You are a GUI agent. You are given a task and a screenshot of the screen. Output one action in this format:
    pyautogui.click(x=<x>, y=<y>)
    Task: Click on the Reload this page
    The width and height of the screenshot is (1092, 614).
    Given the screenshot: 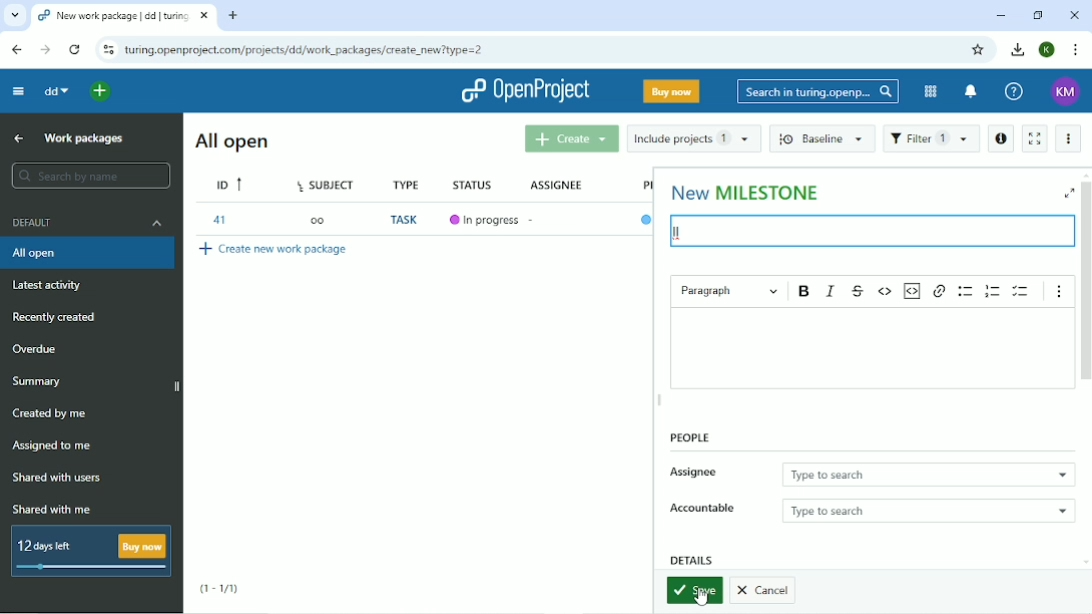 What is the action you would take?
    pyautogui.click(x=76, y=49)
    